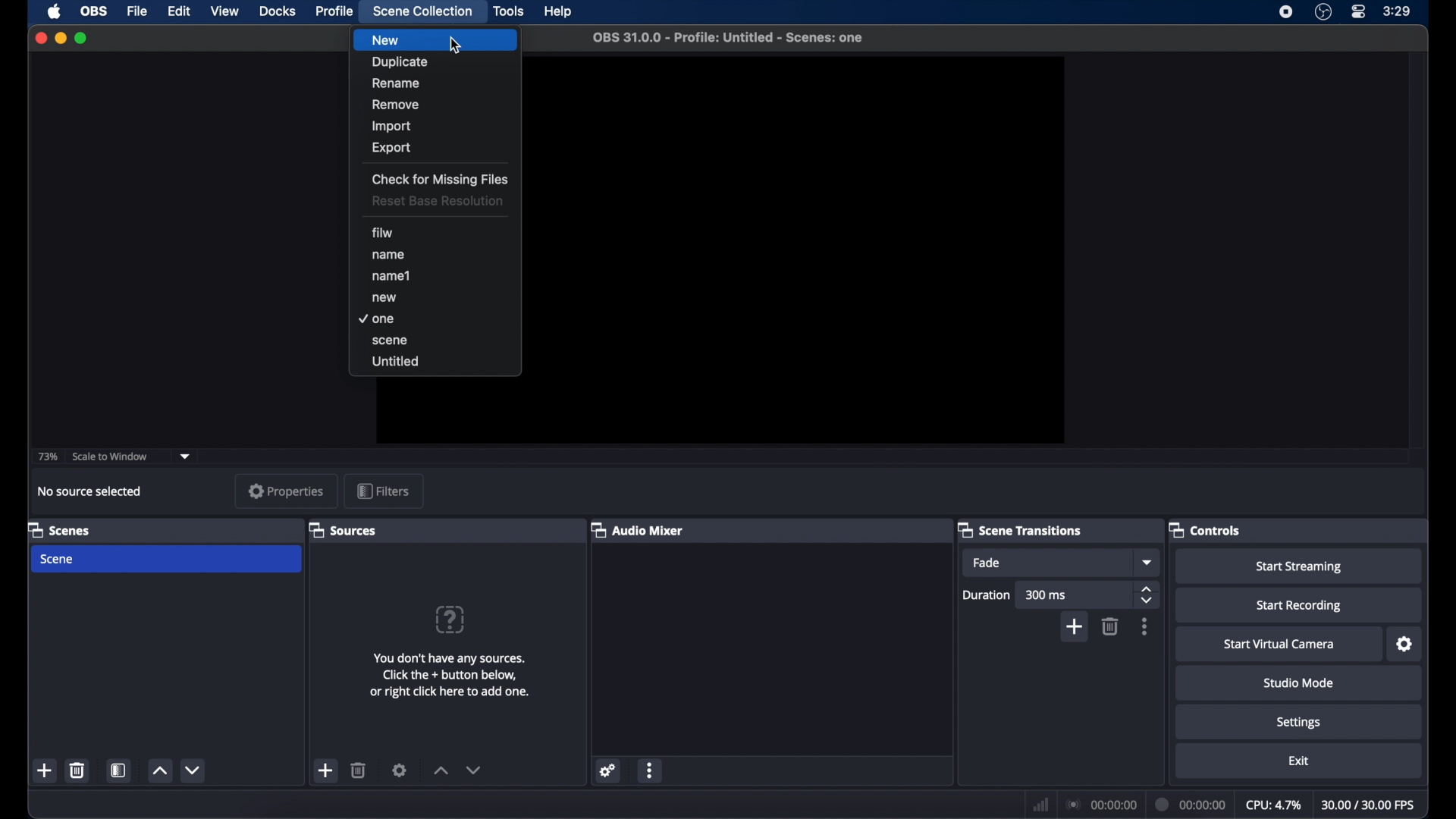 The width and height of the screenshot is (1456, 819). I want to click on start recording, so click(1301, 606).